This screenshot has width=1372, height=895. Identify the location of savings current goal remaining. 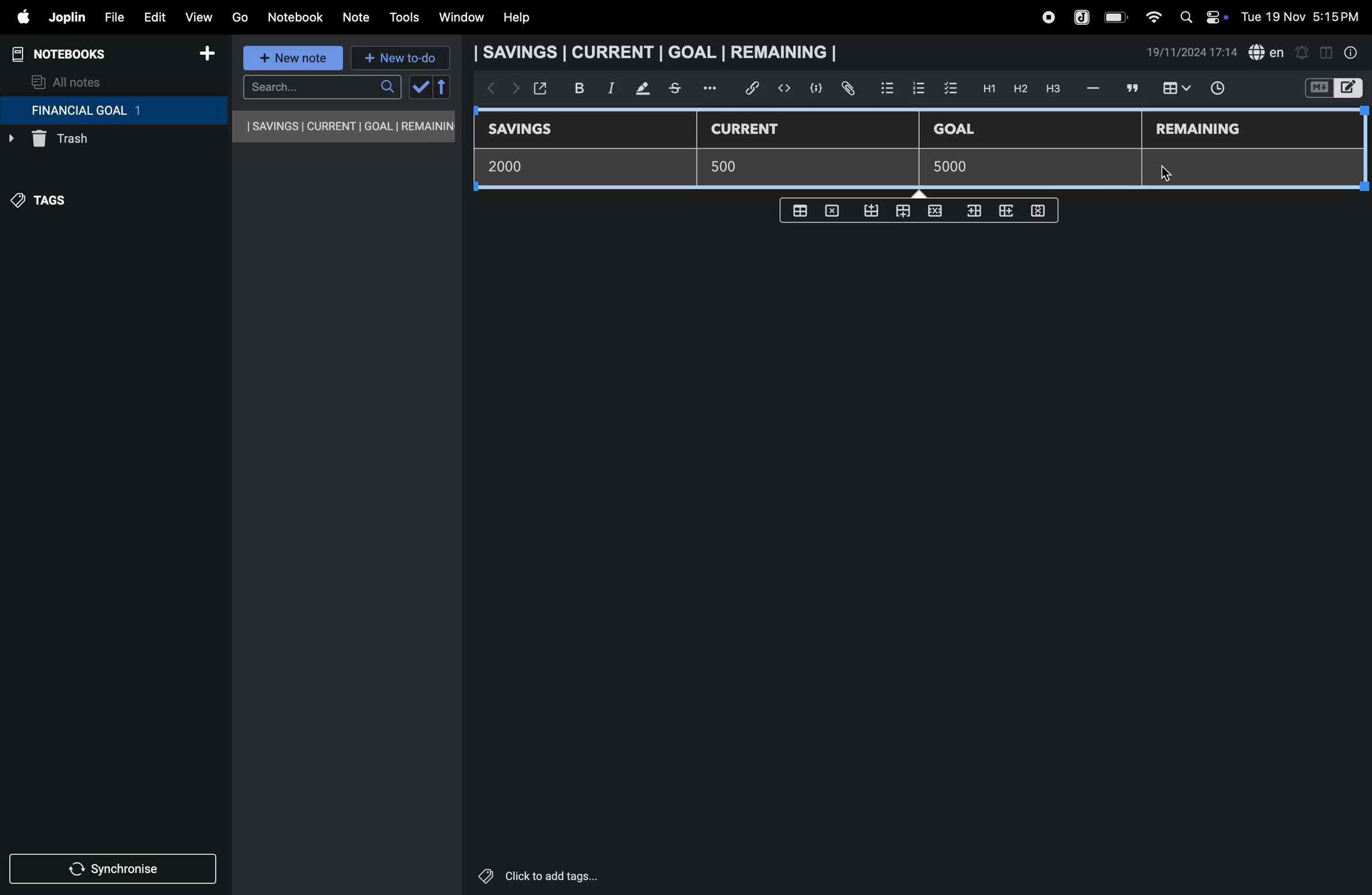
(659, 52).